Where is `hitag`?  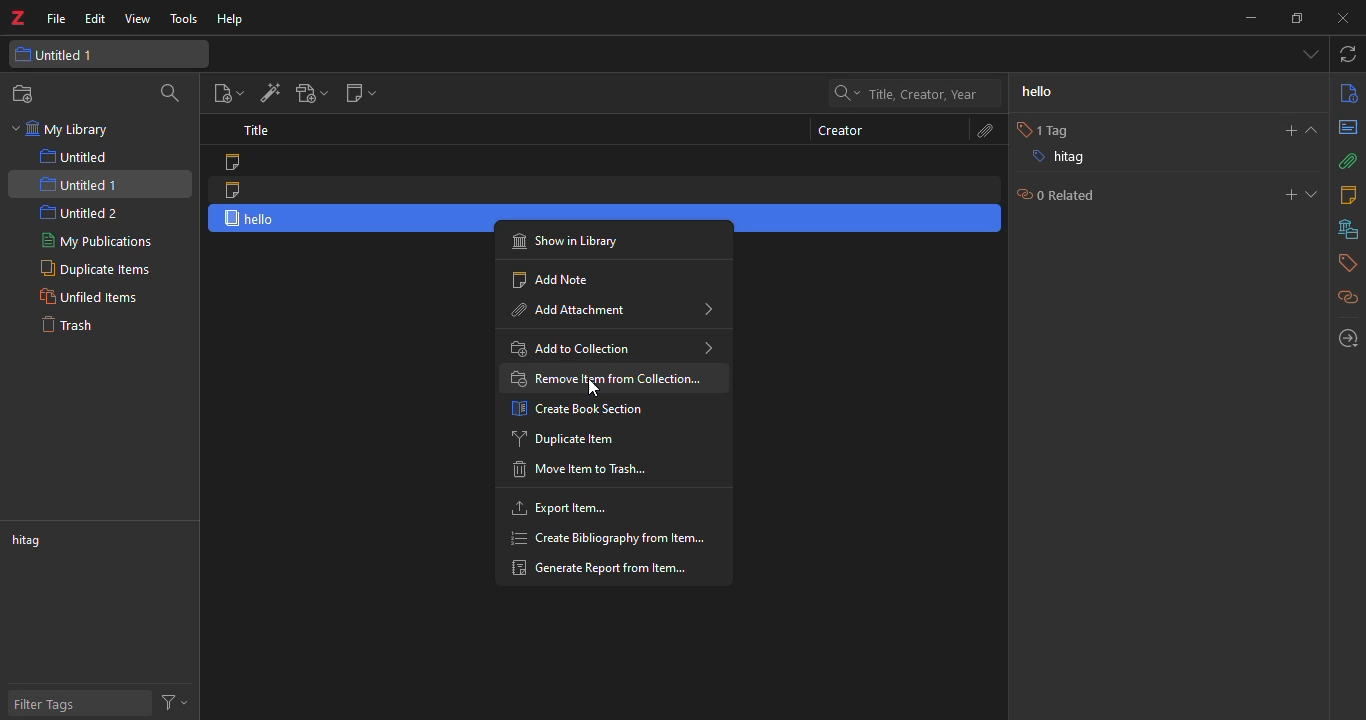
hitag is located at coordinates (33, 542).